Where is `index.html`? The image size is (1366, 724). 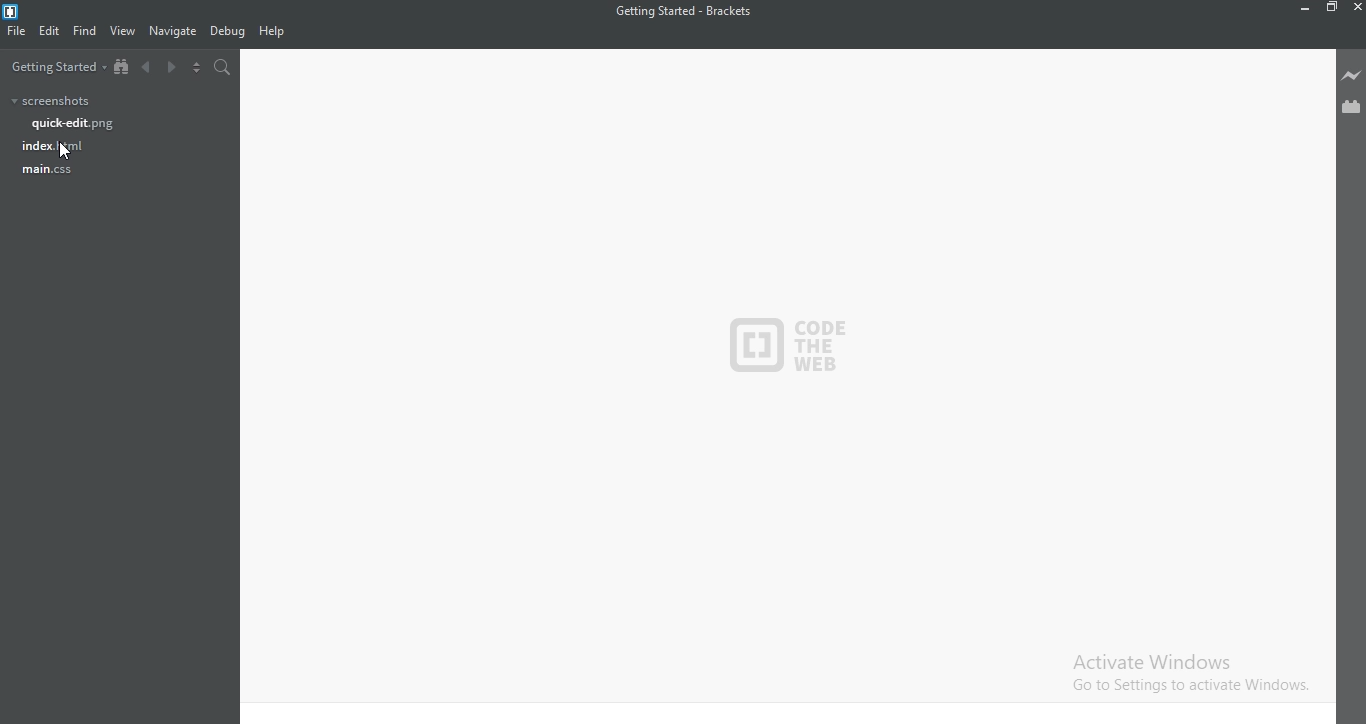 index.html is located at coordinates (54, 148).